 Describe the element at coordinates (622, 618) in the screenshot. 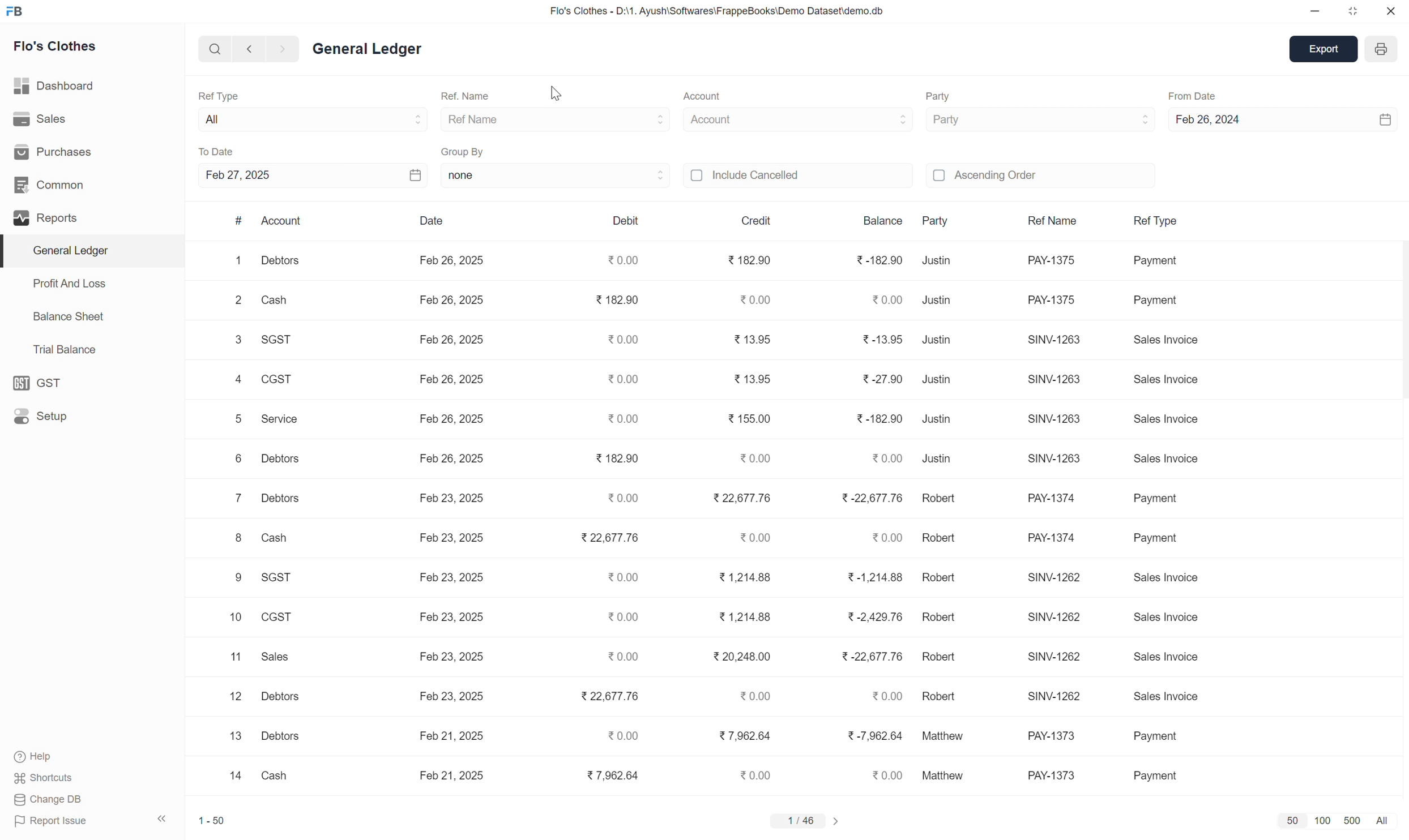

I see `0.00` at that location.